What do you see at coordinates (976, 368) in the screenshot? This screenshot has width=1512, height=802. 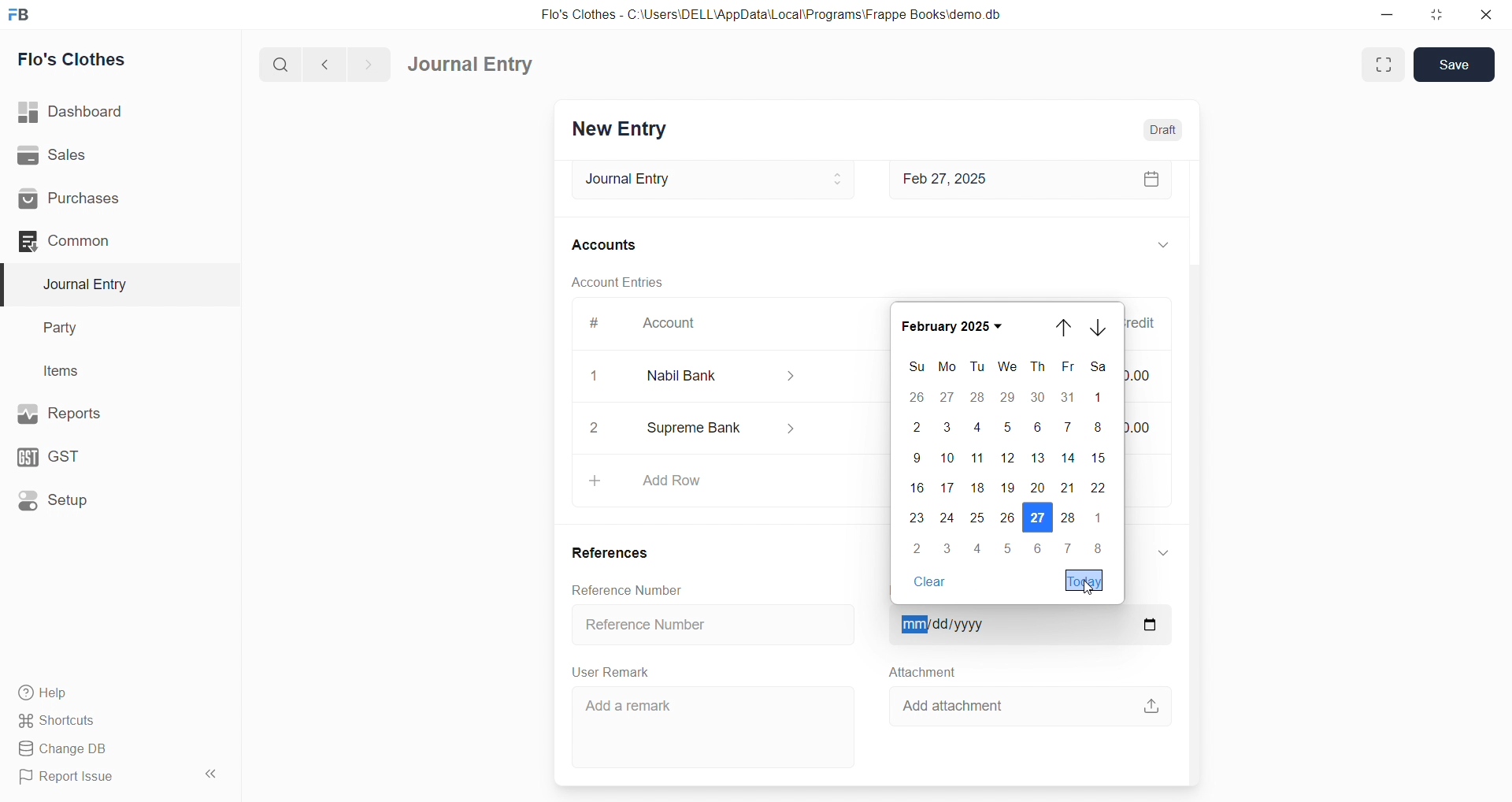 I see `TU` at bounding box center [976, 368].